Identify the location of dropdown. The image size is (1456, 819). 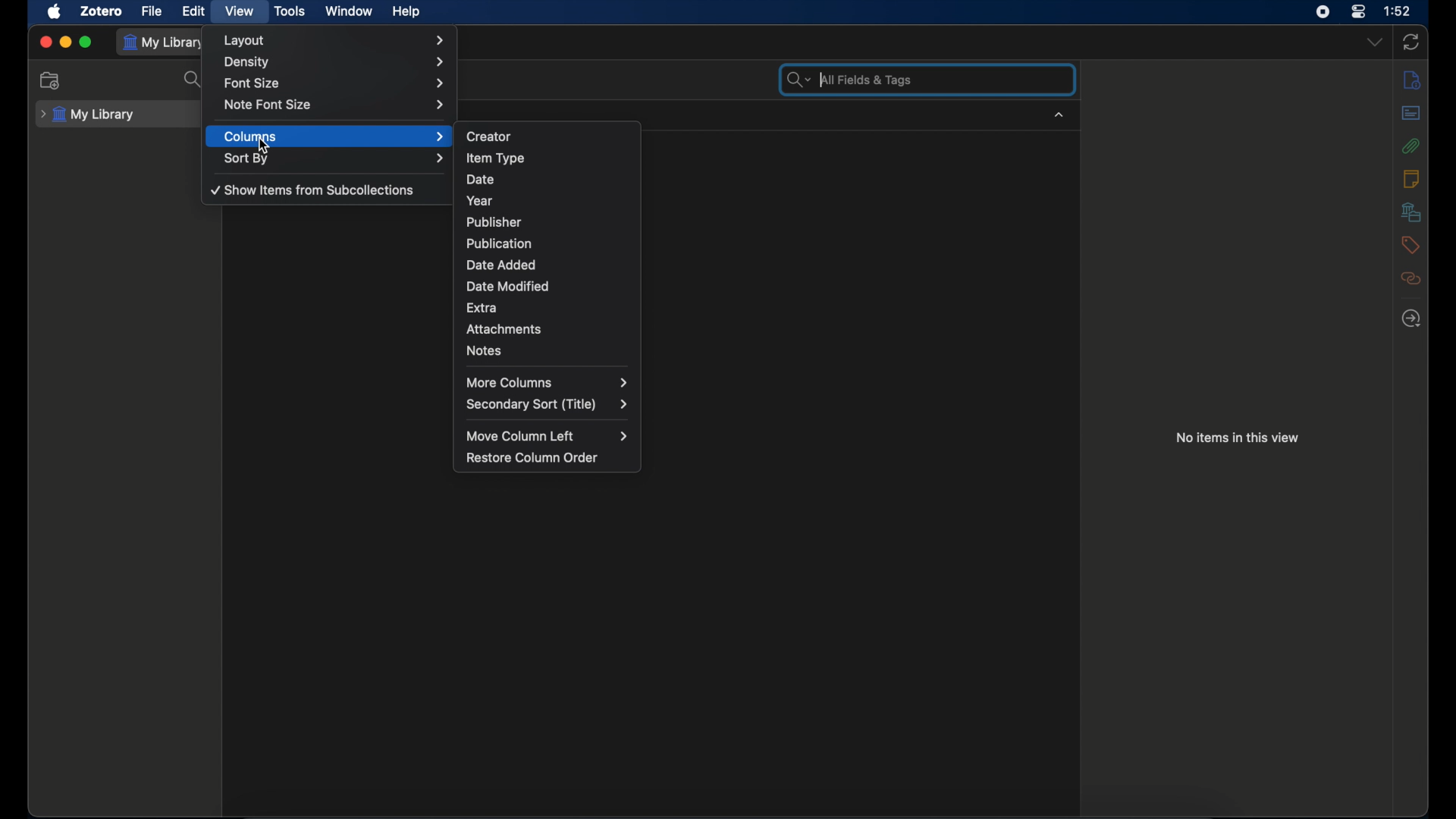
(1059, 115).